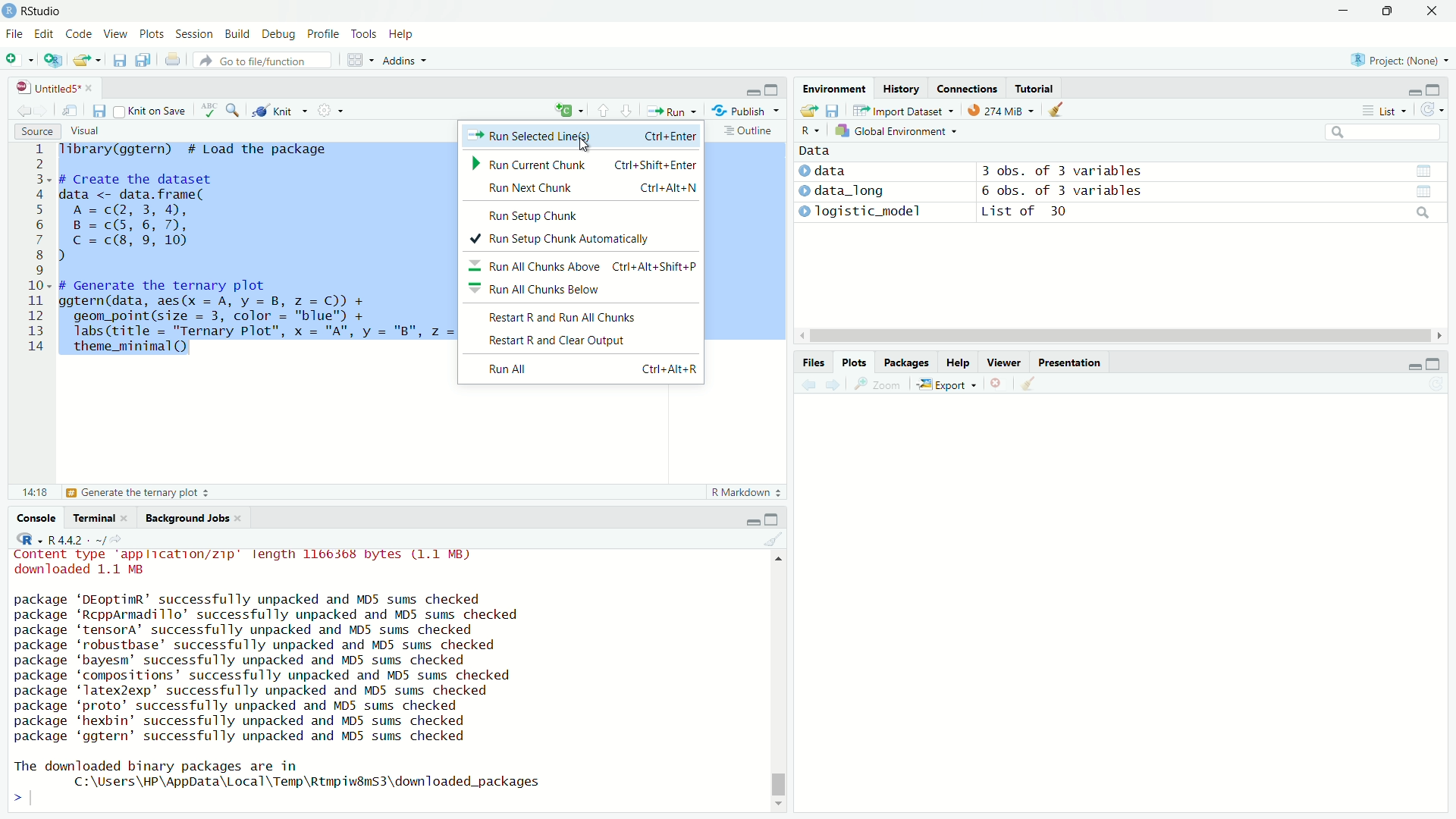 Image resolution: width=1456 pixels, height=819 pixels. I want to click on downward, so click(629, 111).